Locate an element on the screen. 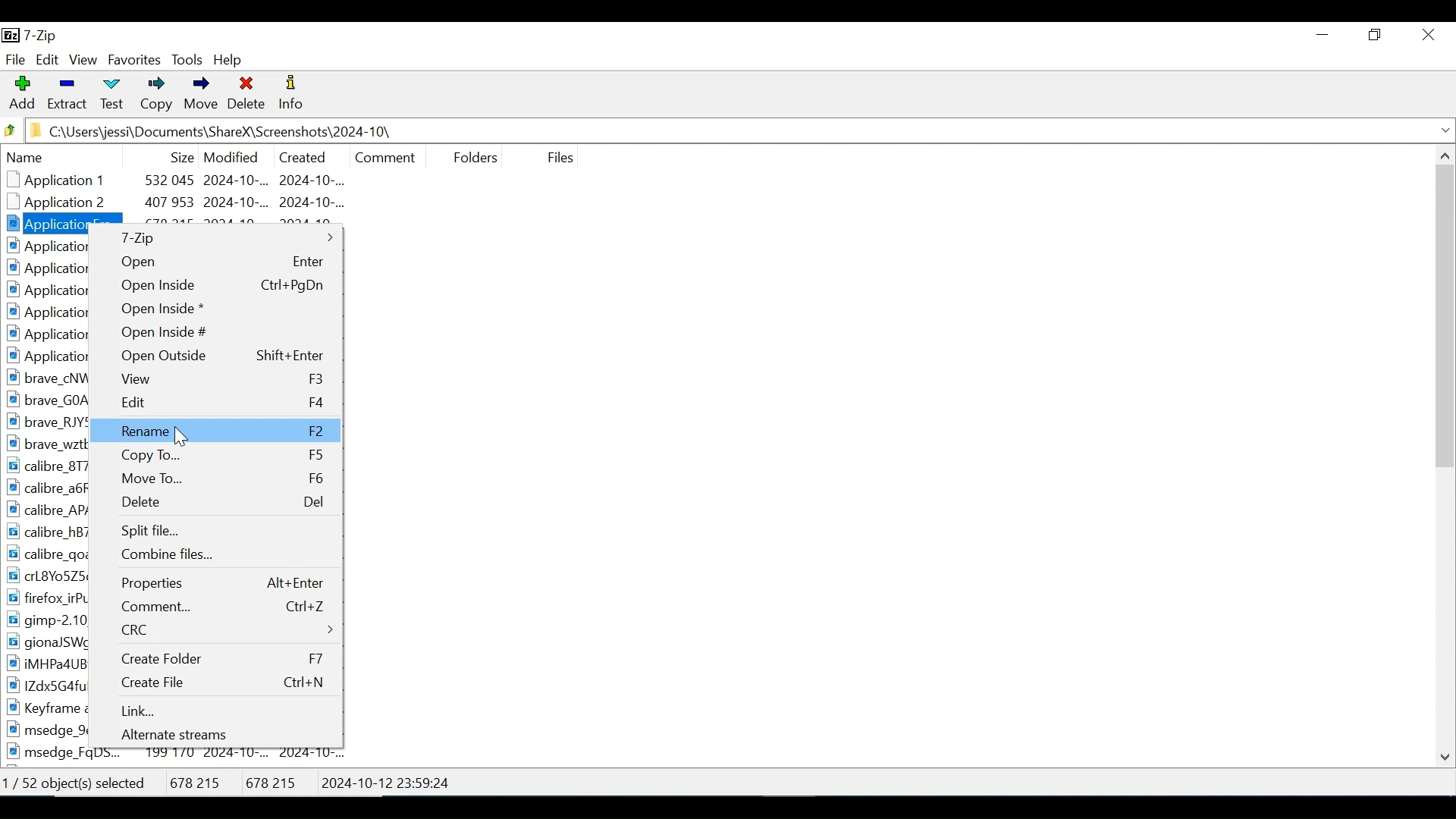 The width and height of the screenshot is (1456, 819). Open outside is located at coordinates (217, 355).